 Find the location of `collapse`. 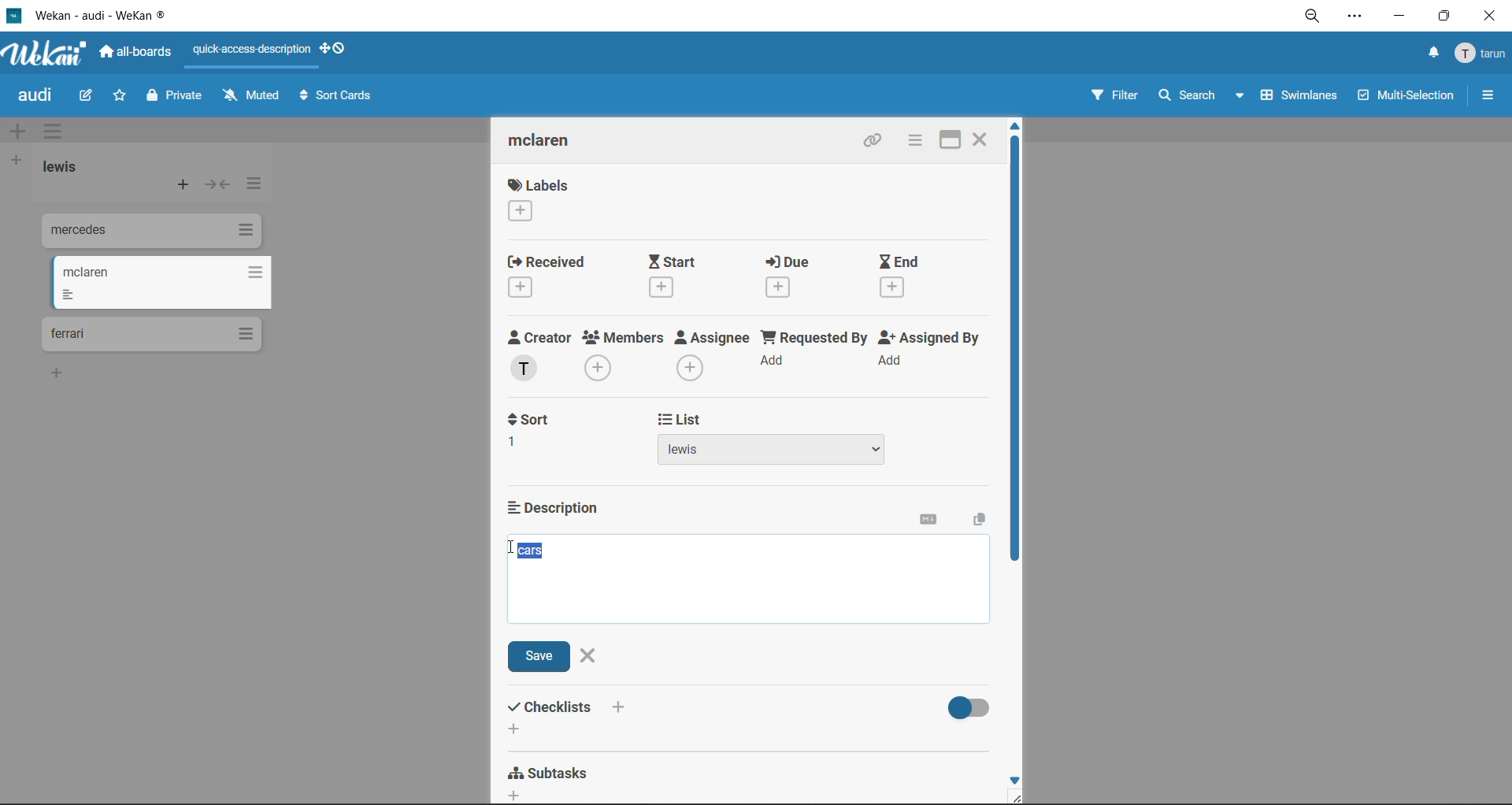

collapse is located at coordinates (217, 184).